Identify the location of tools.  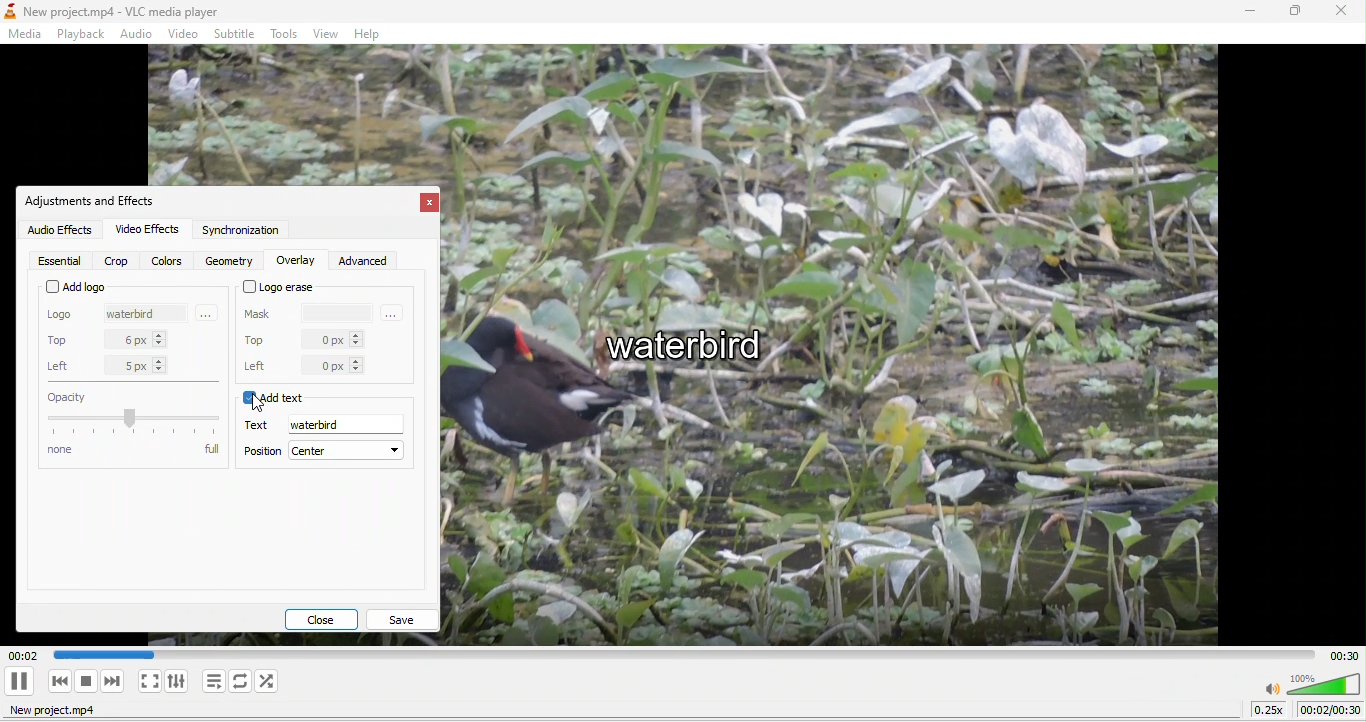
(287, 34).